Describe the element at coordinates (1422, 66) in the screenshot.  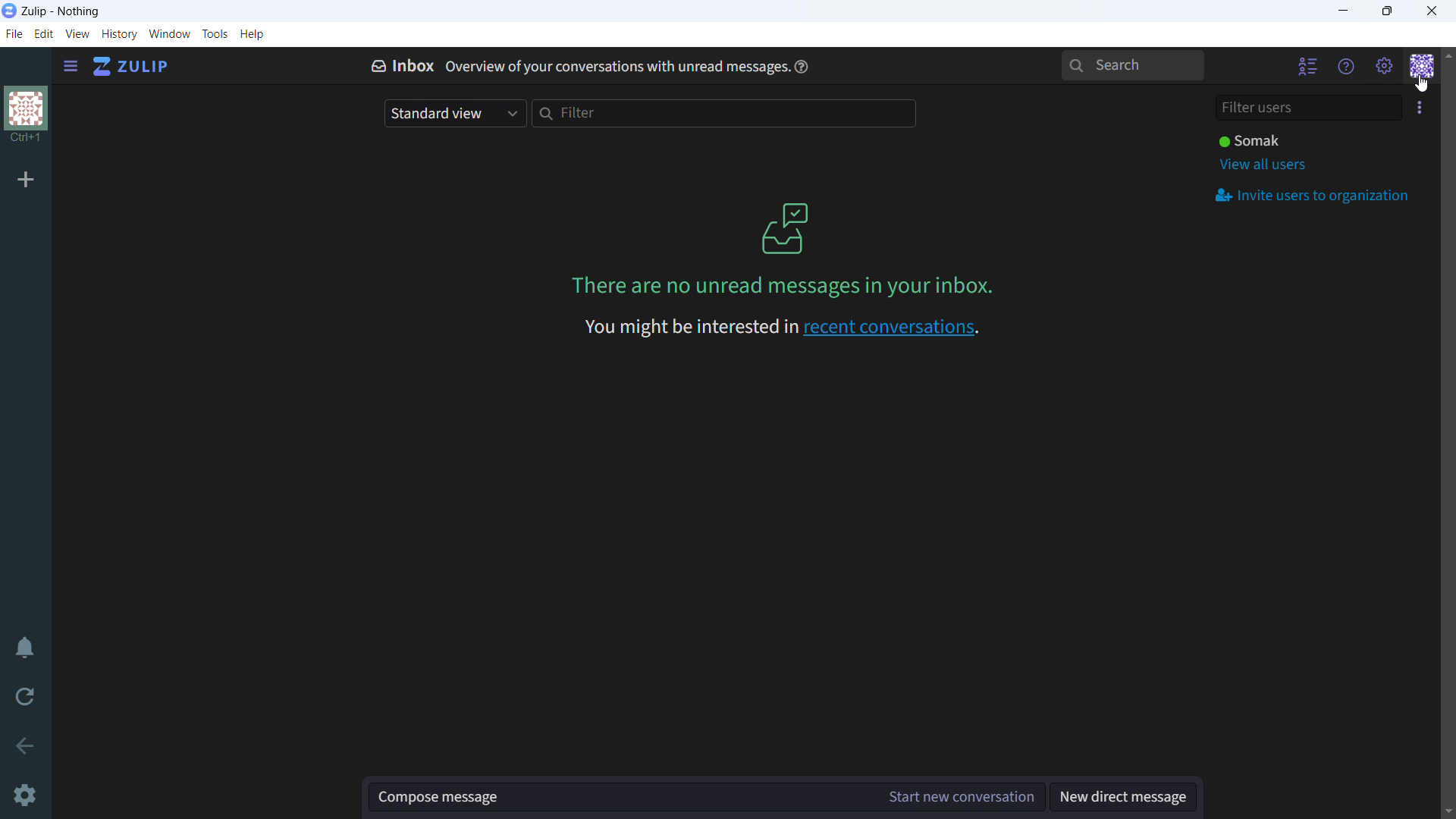
I see `personal menu` at that location.